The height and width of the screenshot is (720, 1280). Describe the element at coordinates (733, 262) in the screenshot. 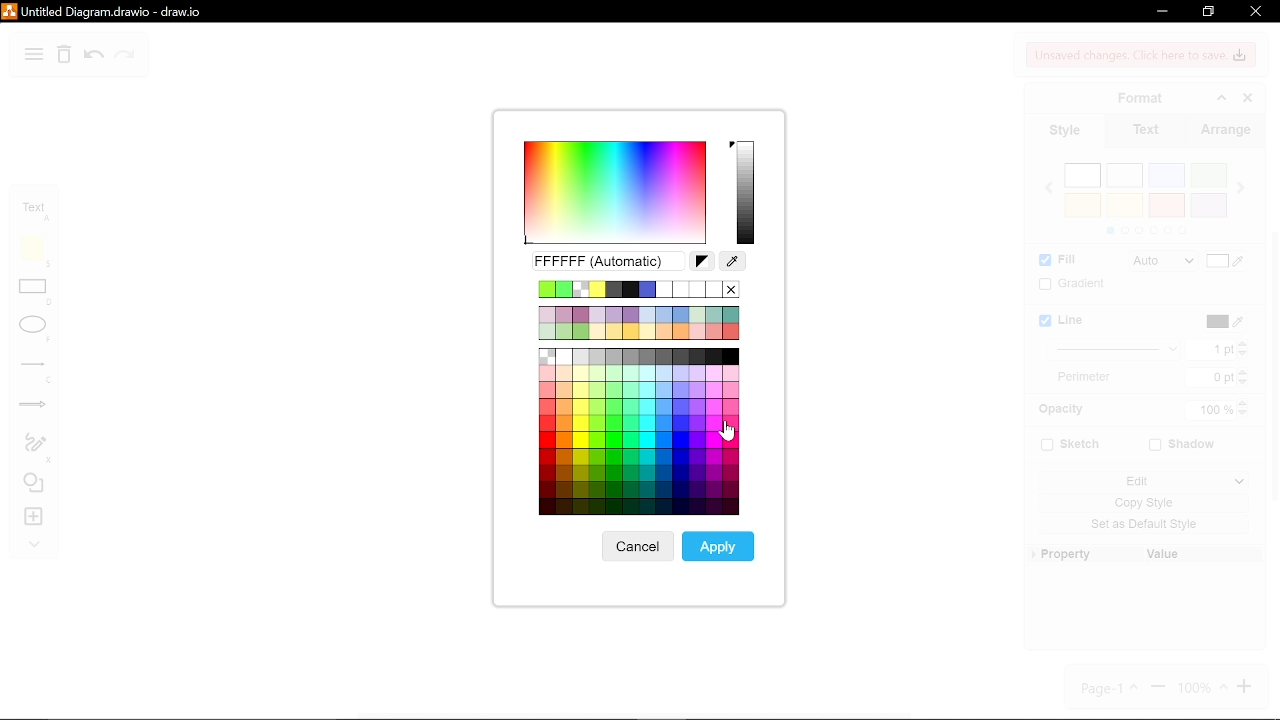

I see `color picker` at that location.